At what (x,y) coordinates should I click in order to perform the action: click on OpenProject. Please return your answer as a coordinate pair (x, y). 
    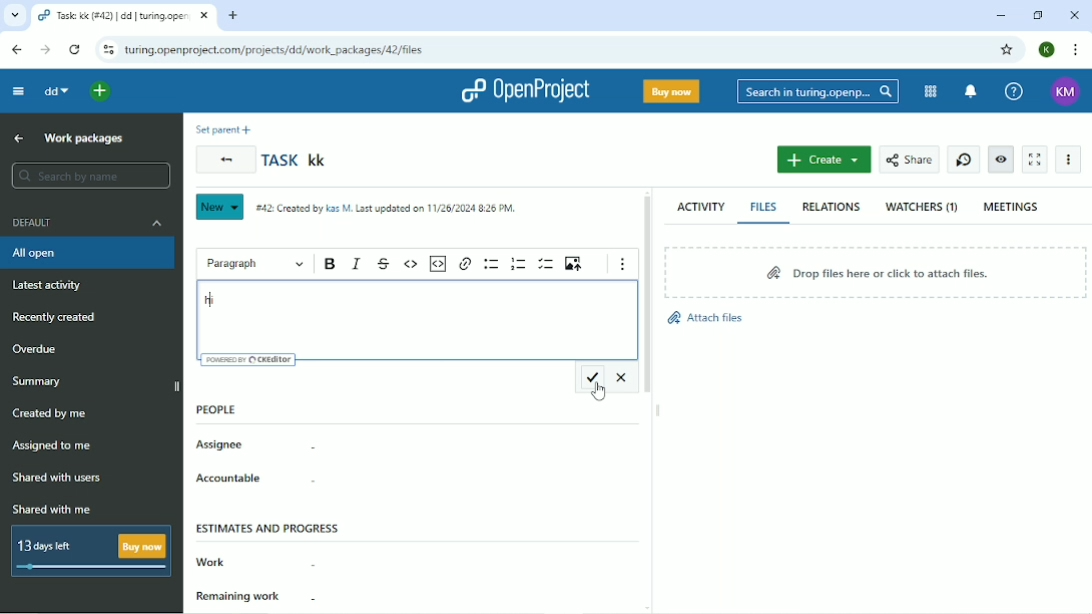
    Looking at the image, I should click on (527, 90).